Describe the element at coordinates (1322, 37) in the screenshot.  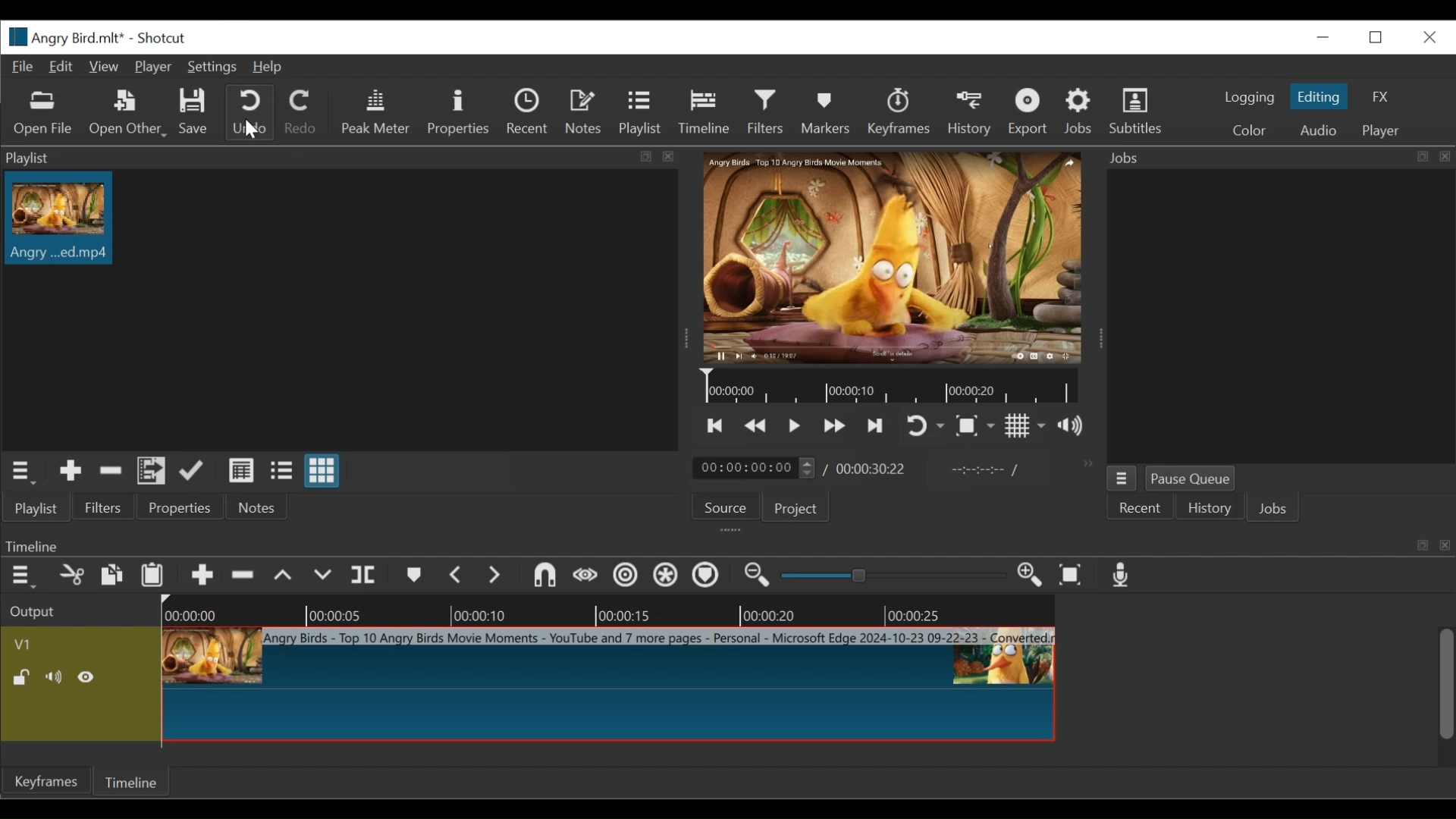
I see `minimize` at that location.